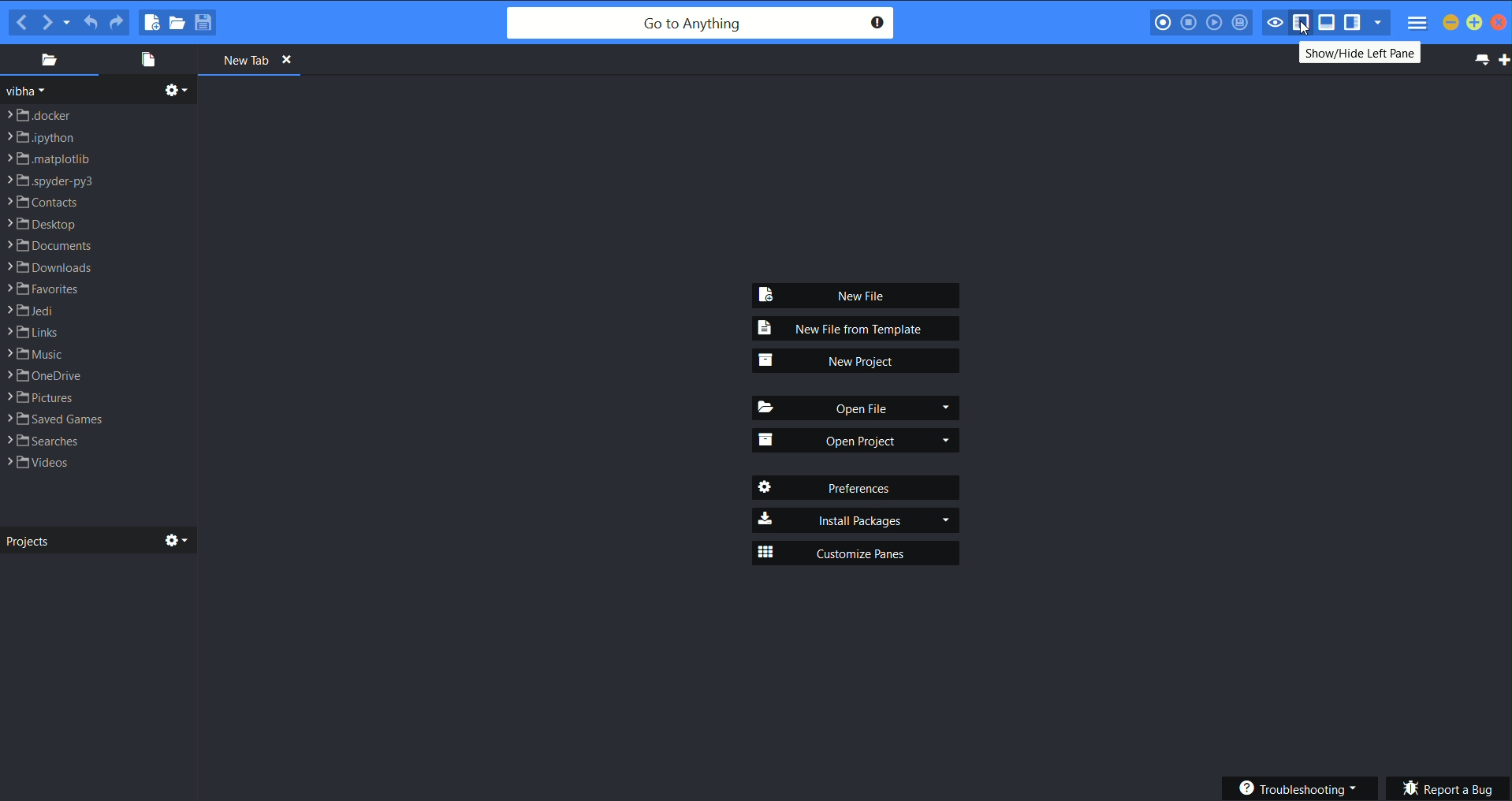  I want to click on searches, so click(43, 440).